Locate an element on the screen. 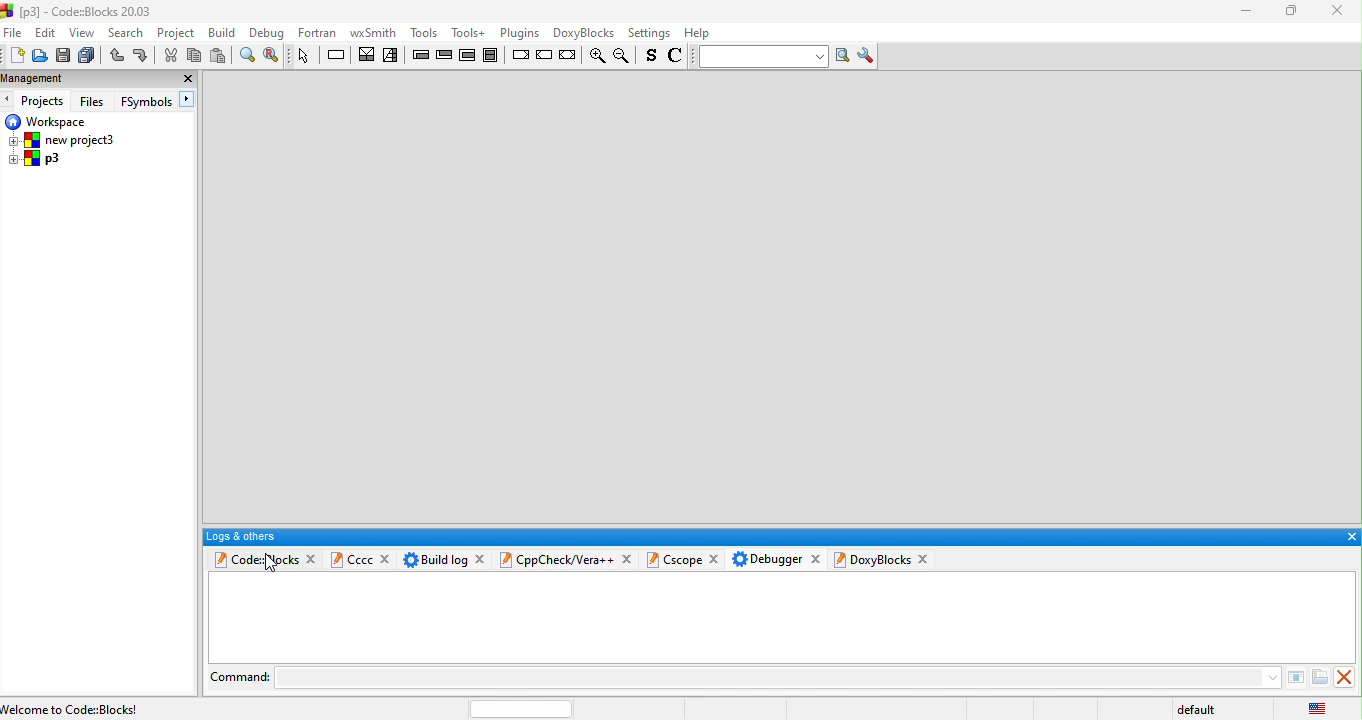  previous is located at coordinates (9, 100).